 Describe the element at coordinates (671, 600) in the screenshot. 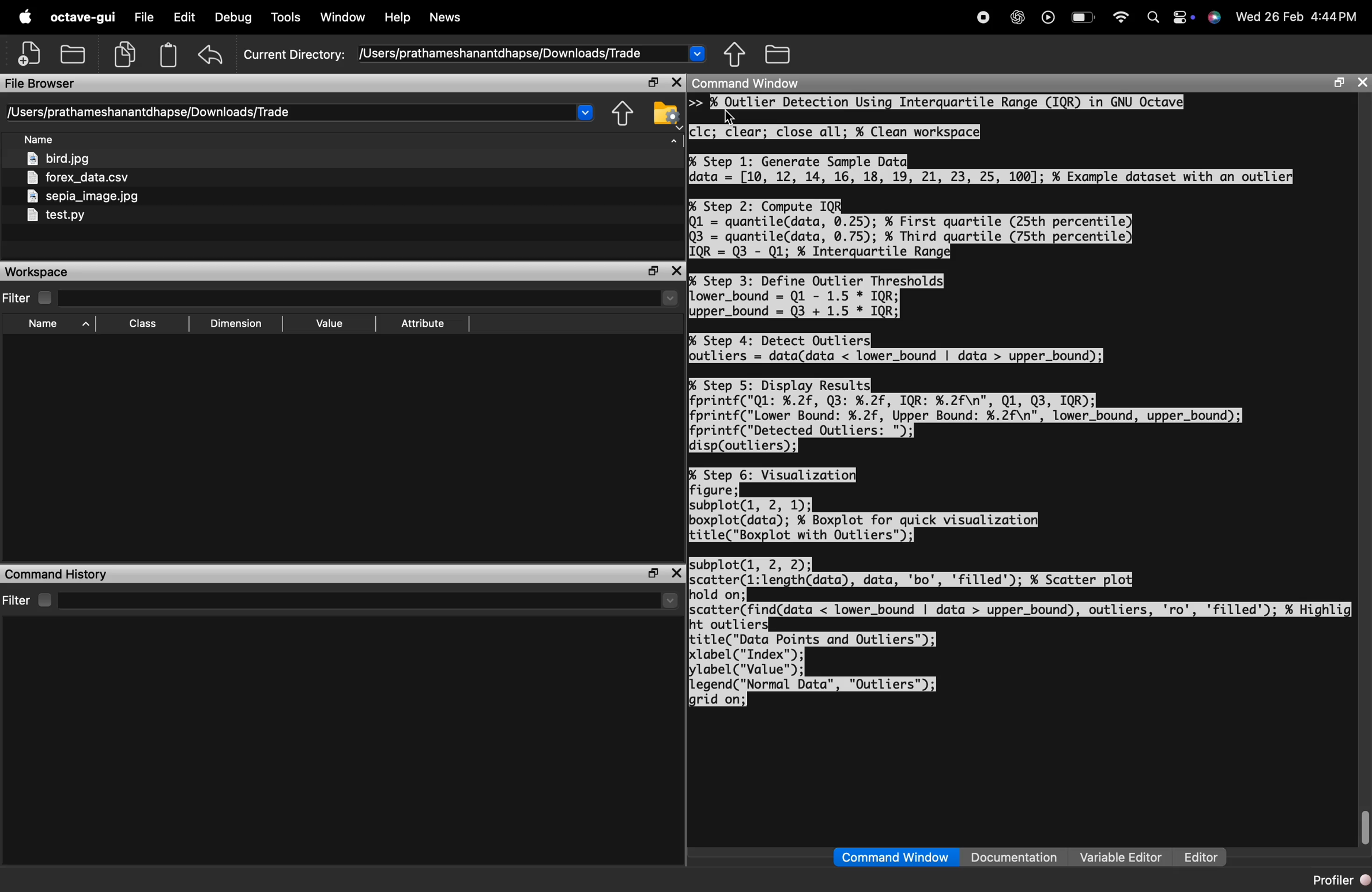

I see `Drop-down ` at that location.